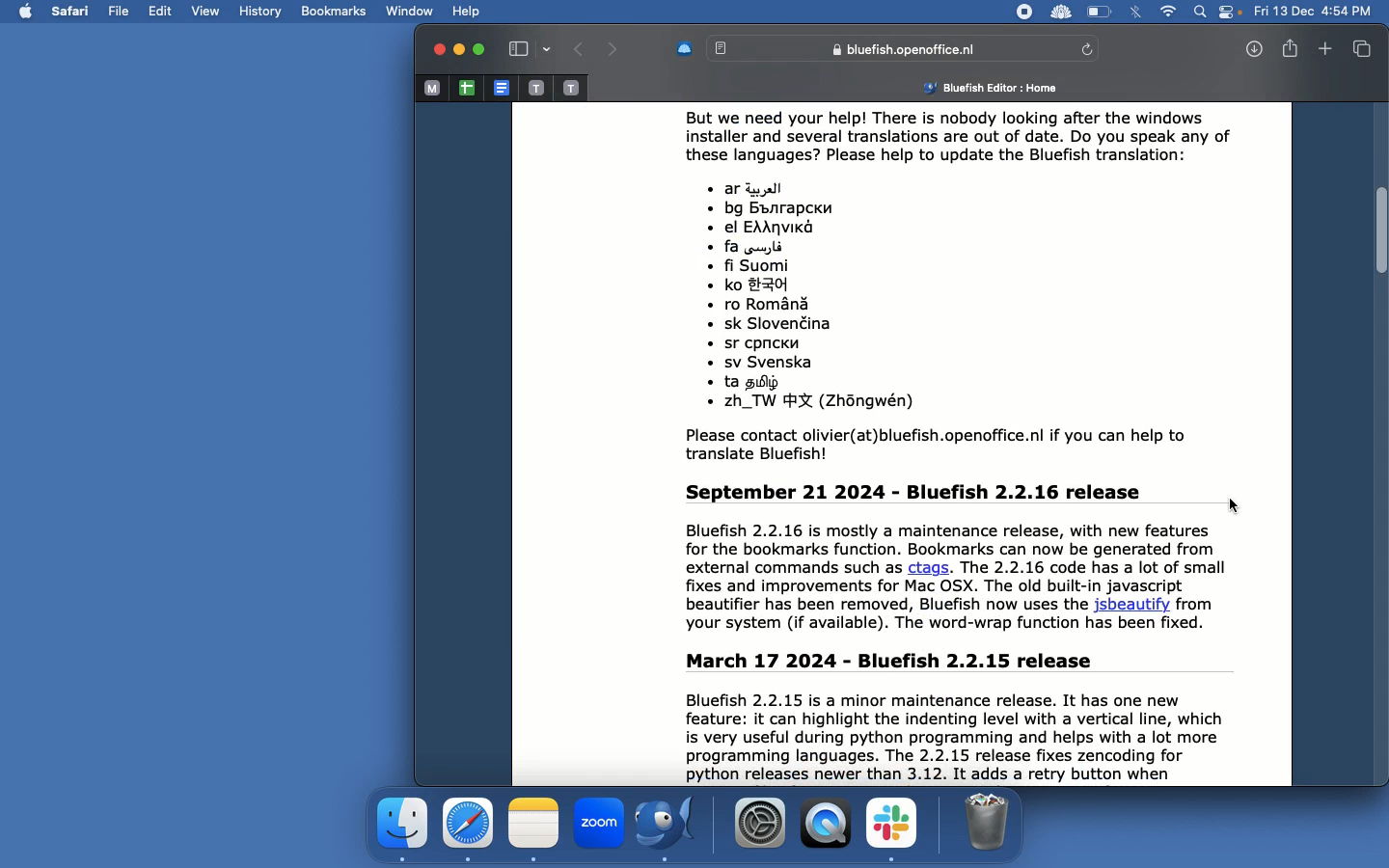  What do you see at coordinates (984, 823) in the screenshot?
I see `Trash` at bounding box center [984, 823].